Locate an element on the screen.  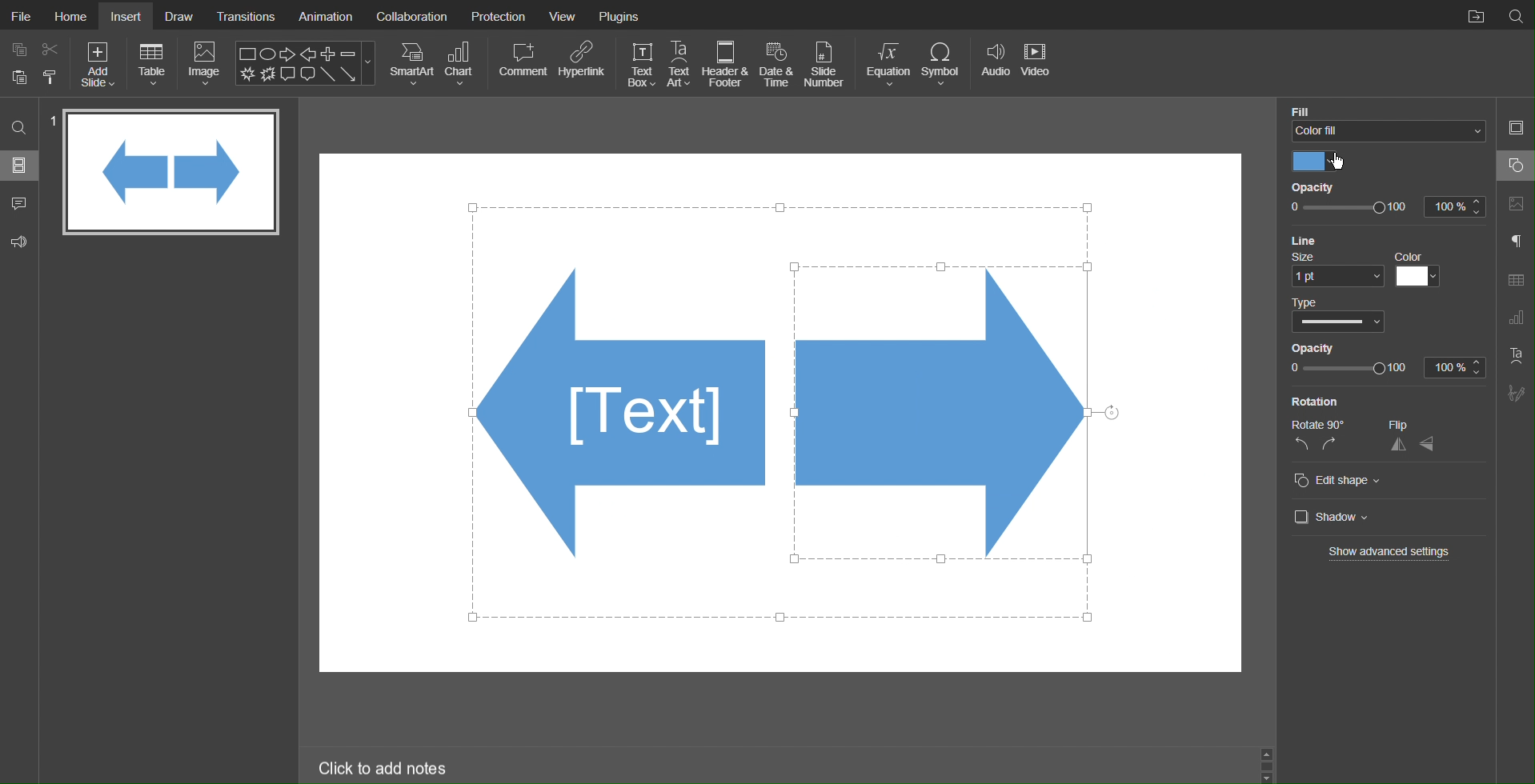
Comments is located at coordinates (18, 202).